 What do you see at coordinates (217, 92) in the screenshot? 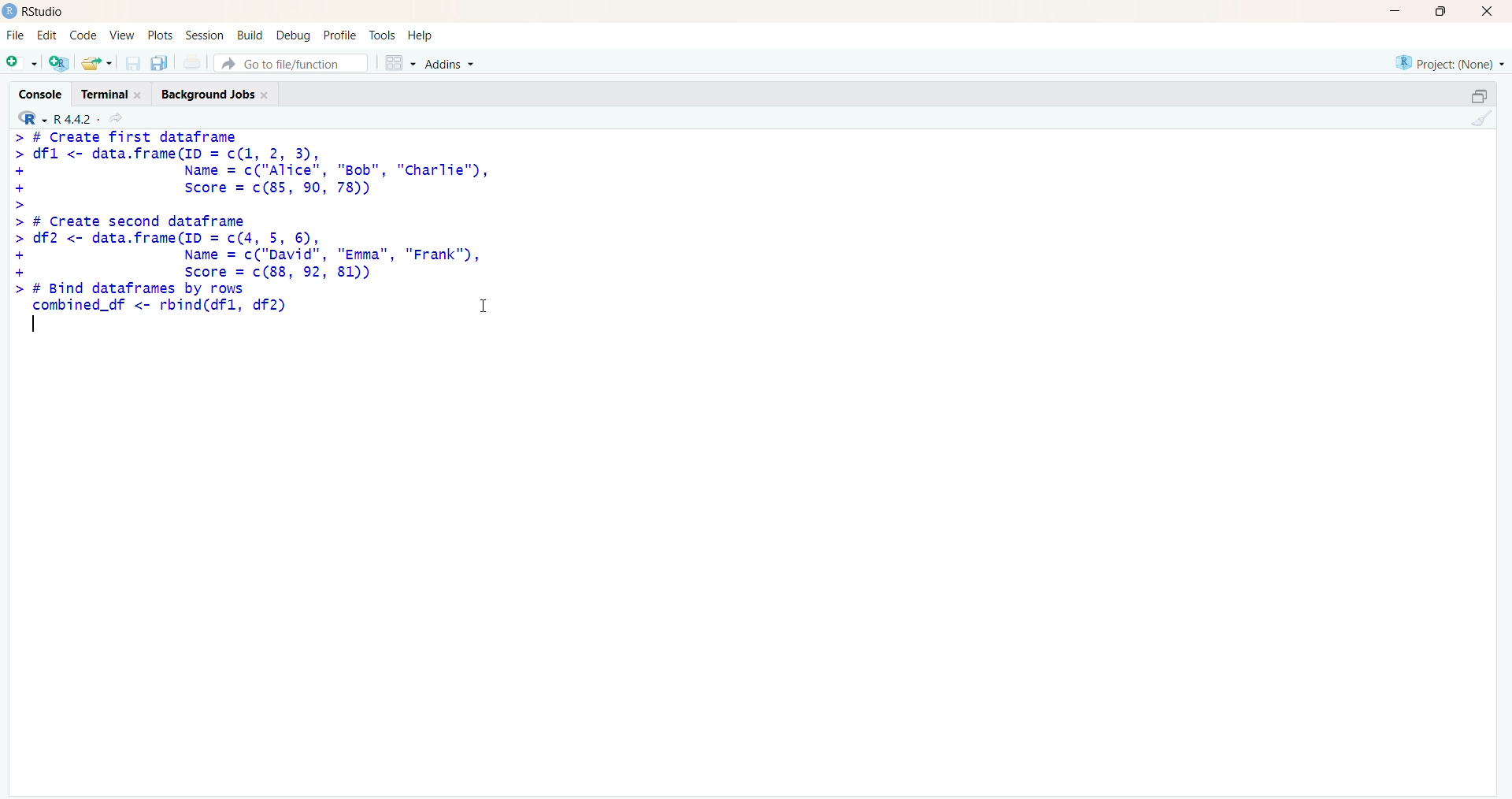
I see `Background Jobs` at bounding box center [217, 92].